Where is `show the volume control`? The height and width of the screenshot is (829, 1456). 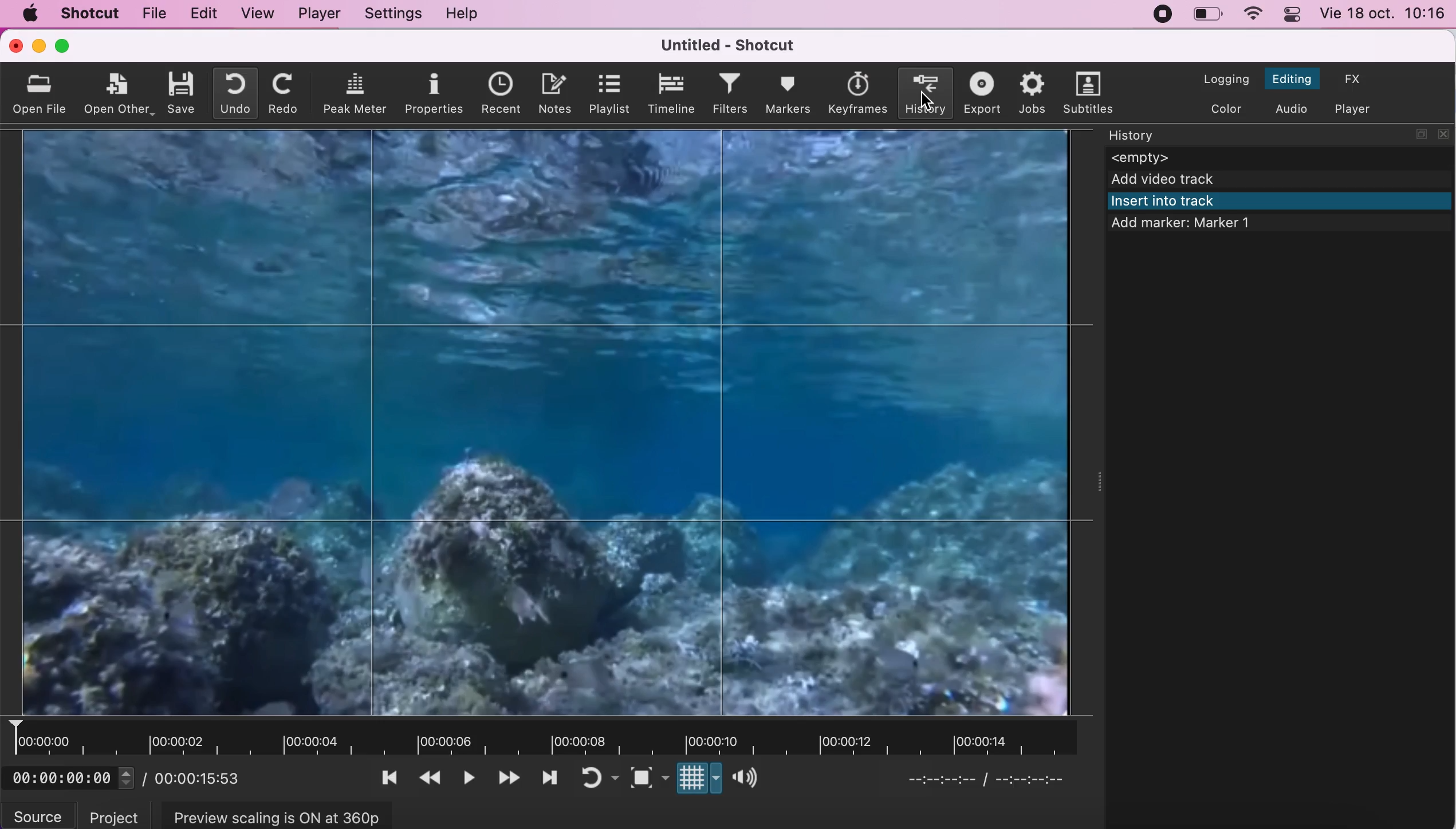
show the volume control is located at coordinates (746, 780).